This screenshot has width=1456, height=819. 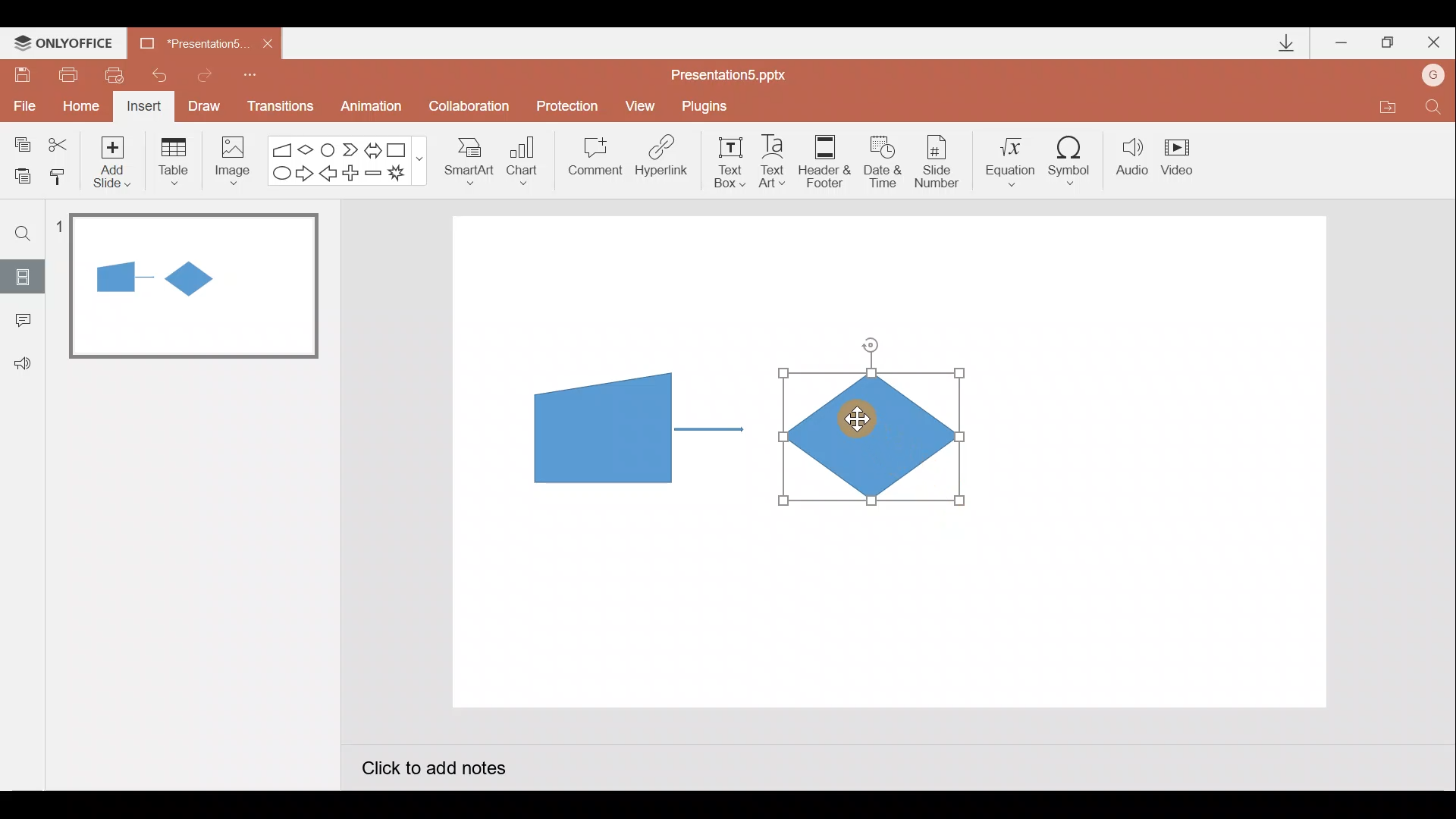 I want to click on Slide number, so click(x=941, y=162).